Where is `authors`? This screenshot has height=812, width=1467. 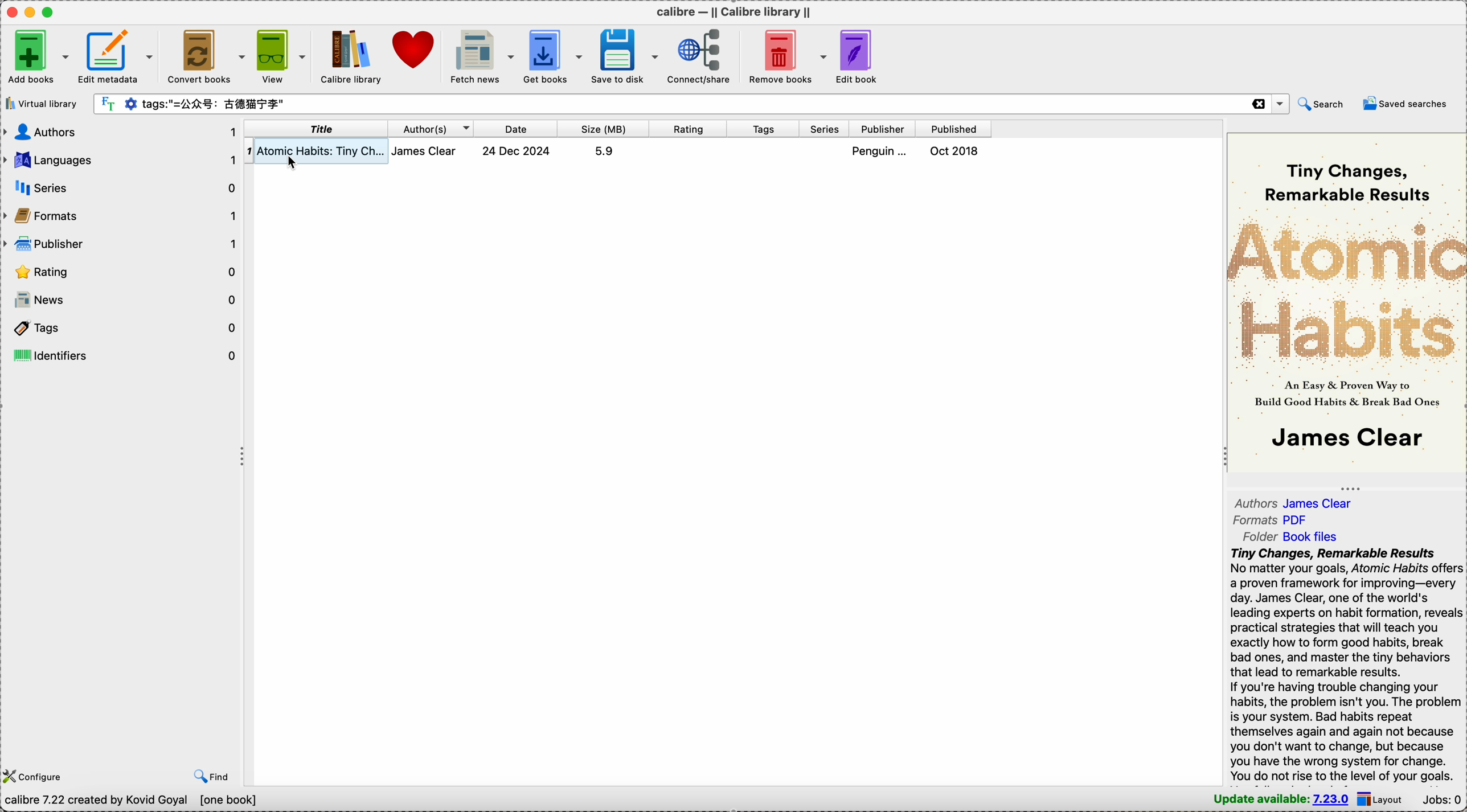
authors is located at coordinates (121, 133).